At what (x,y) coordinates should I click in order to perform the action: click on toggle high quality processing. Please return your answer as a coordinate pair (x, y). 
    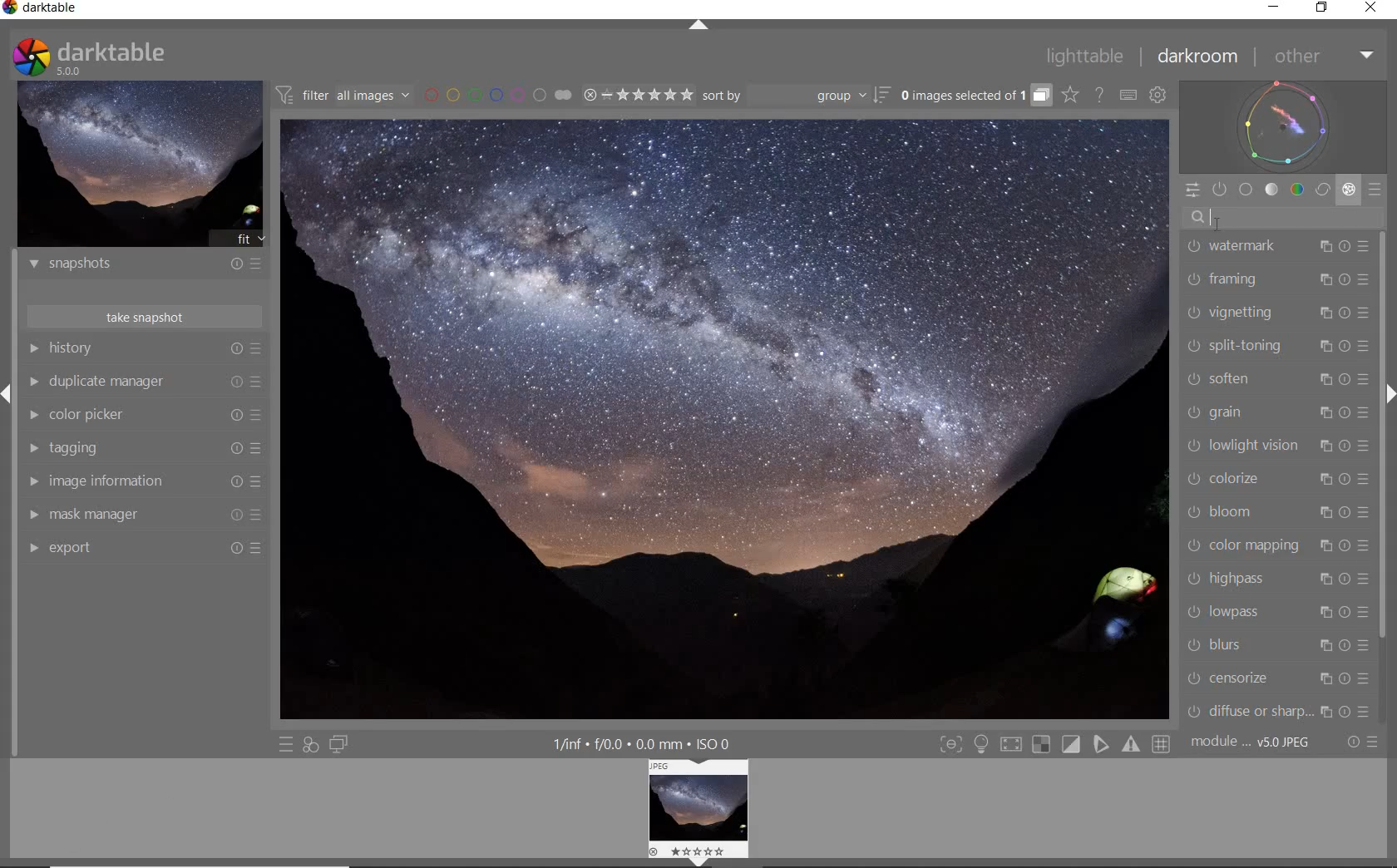
    Looking at the image, I should click on (1014, 747).